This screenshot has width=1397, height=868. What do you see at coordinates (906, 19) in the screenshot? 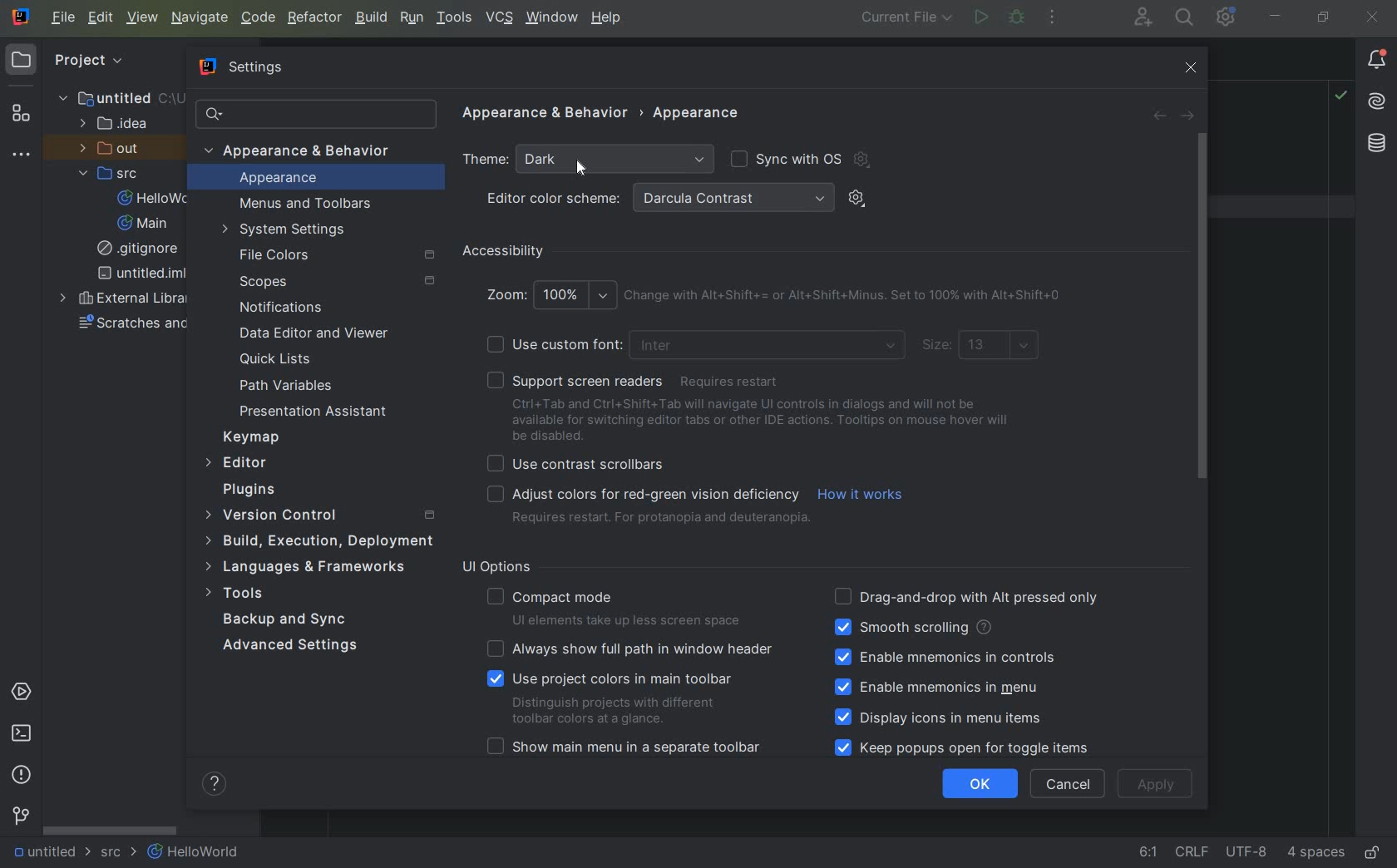
I see `CURRENT FILE` at bounding box center [906, 19].